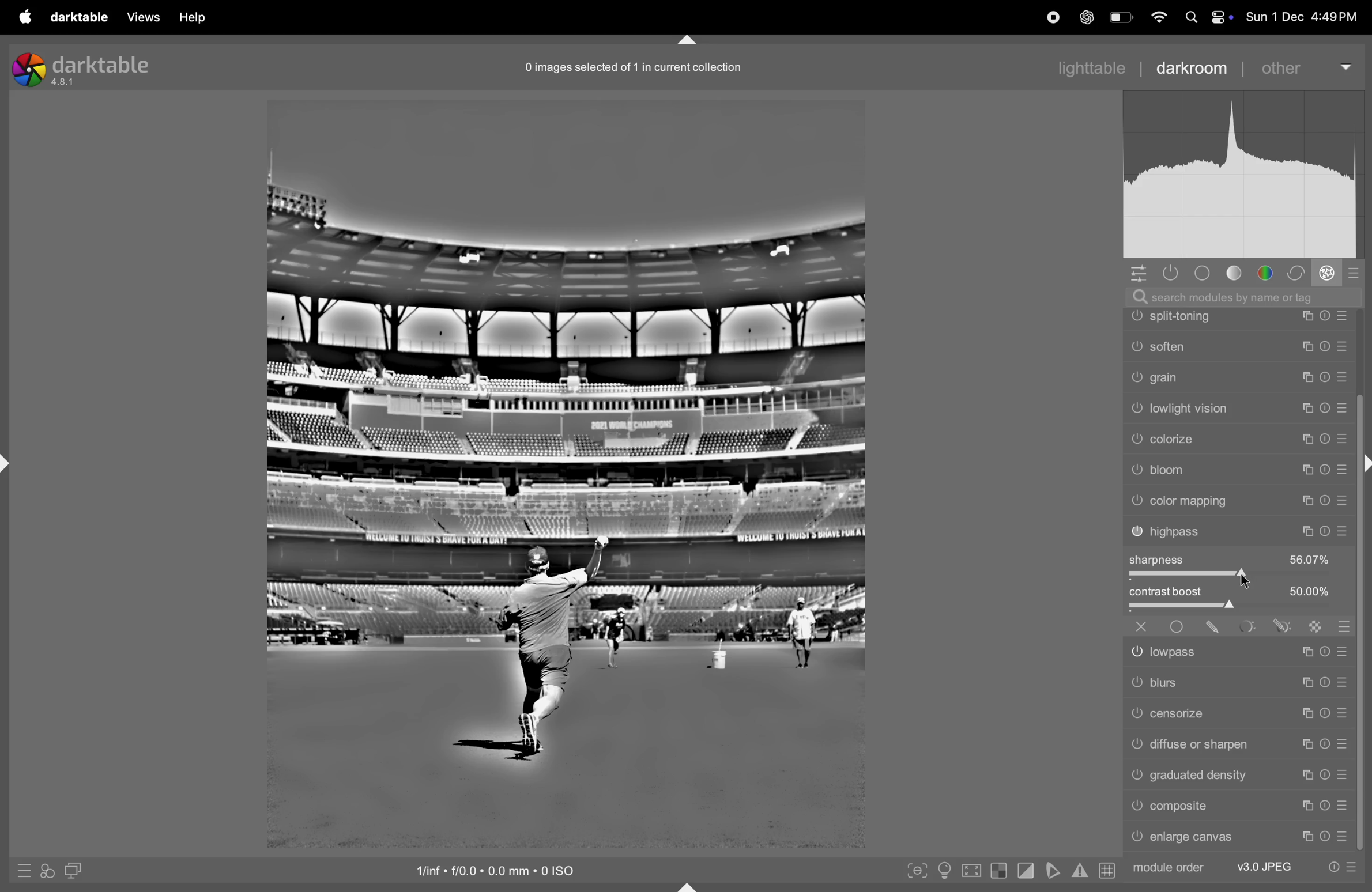 This screenshot has width=1372, height=892. What do you see at coordinates (1085, 17) in the screenshot?
I see `cahtgpt` at bounding box center [1085, 17].